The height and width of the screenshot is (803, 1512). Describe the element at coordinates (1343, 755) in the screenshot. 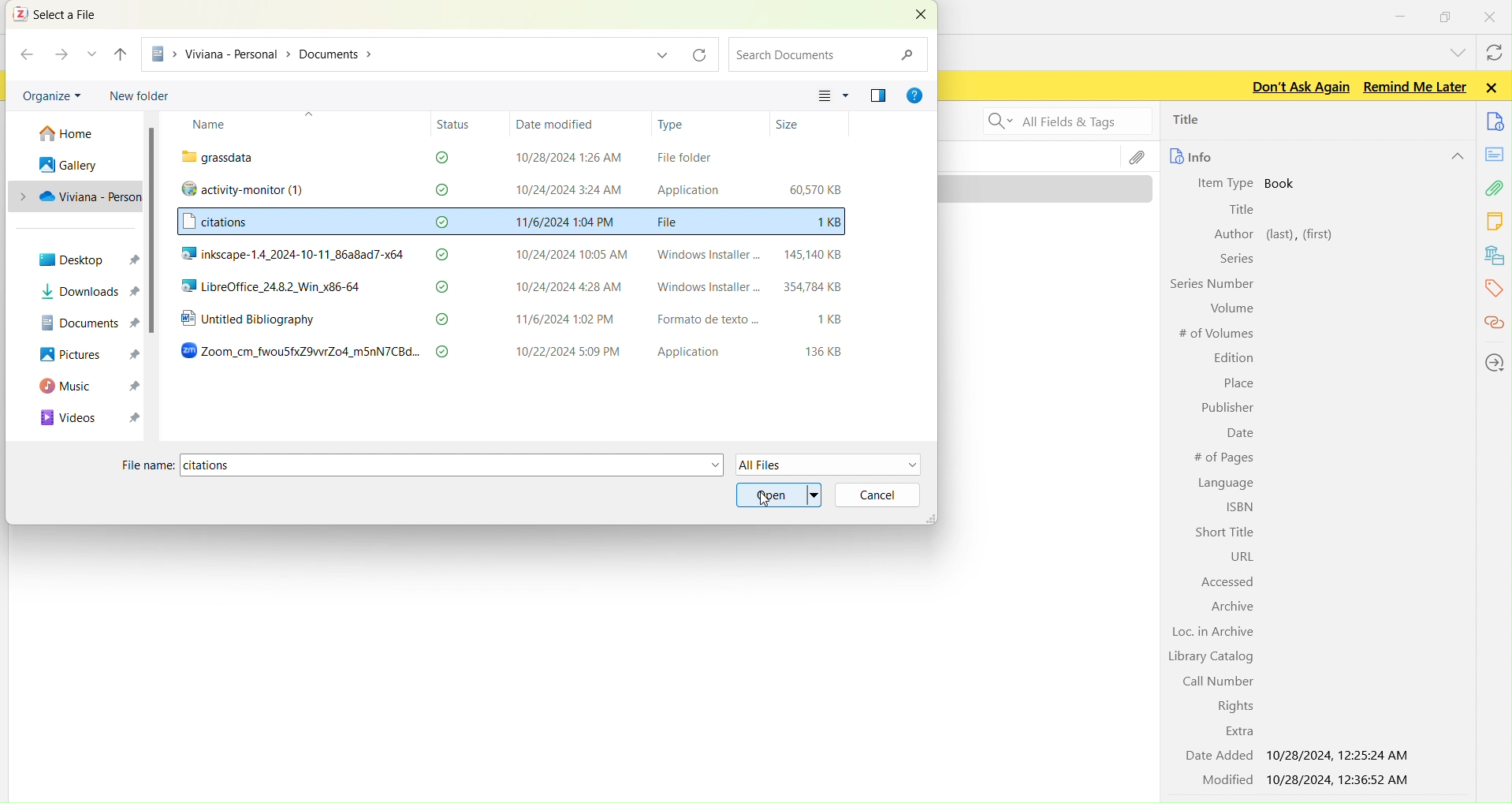

I see `10/28/2024, 12:25:24 AM` at that location.